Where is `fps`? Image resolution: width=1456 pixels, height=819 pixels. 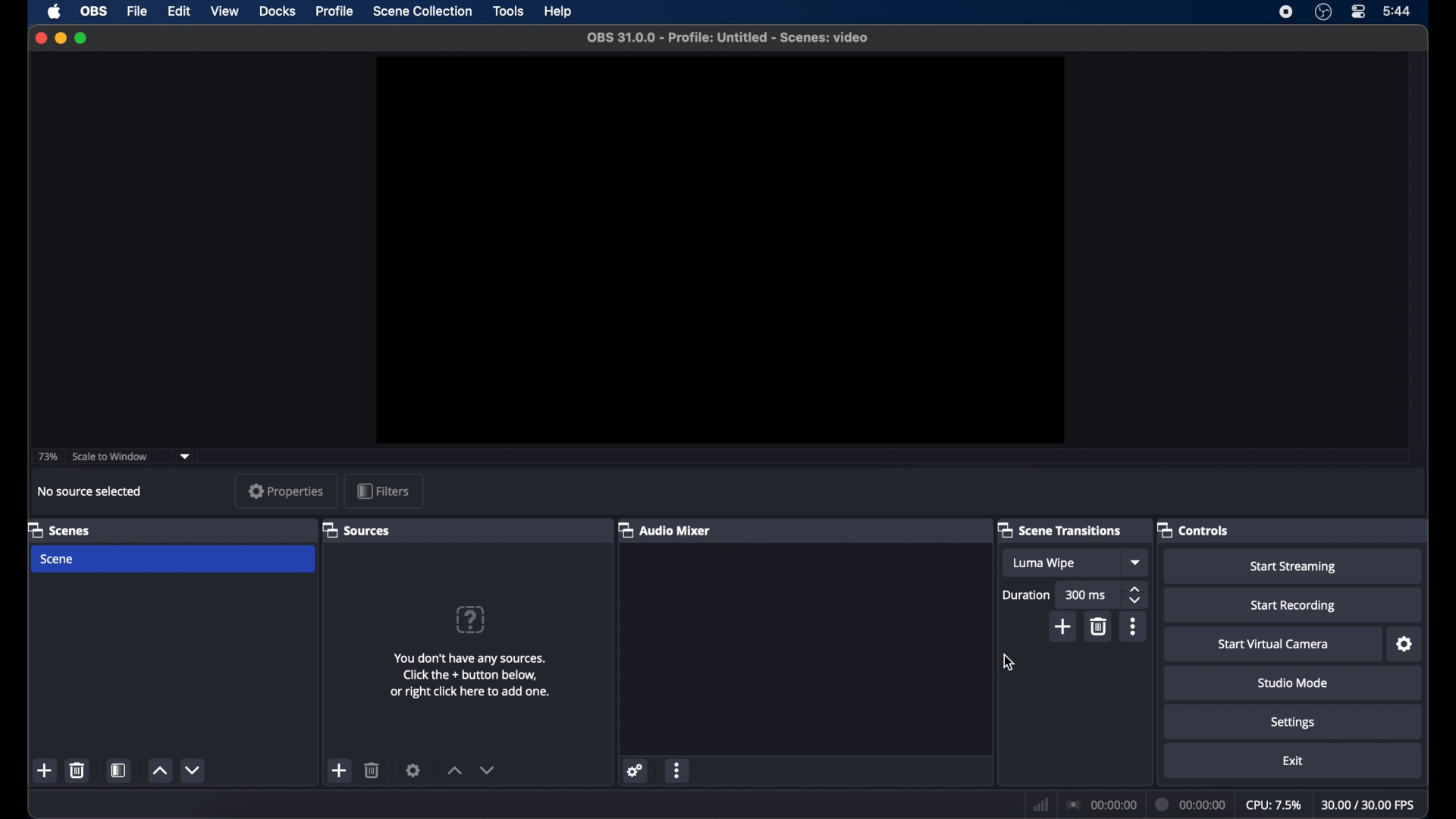
fps is located at coordinates (1368, 805).